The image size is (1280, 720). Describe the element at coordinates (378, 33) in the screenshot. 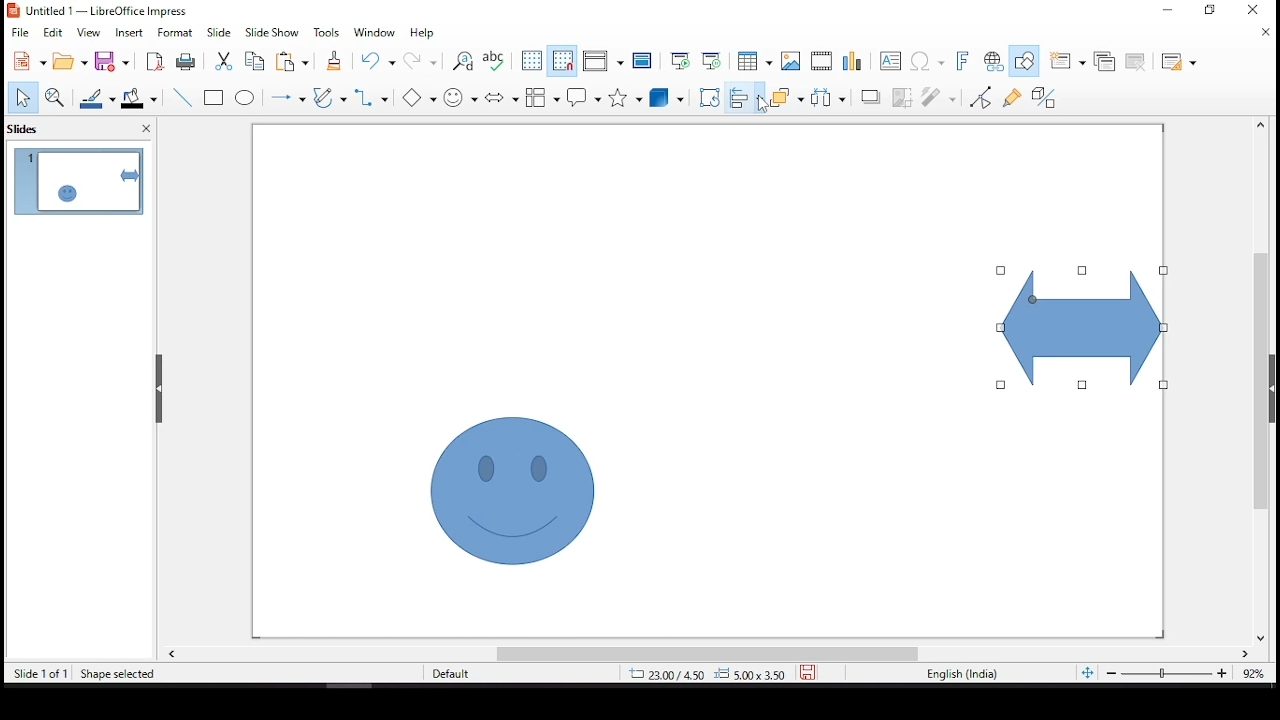

I see `window` at that location.